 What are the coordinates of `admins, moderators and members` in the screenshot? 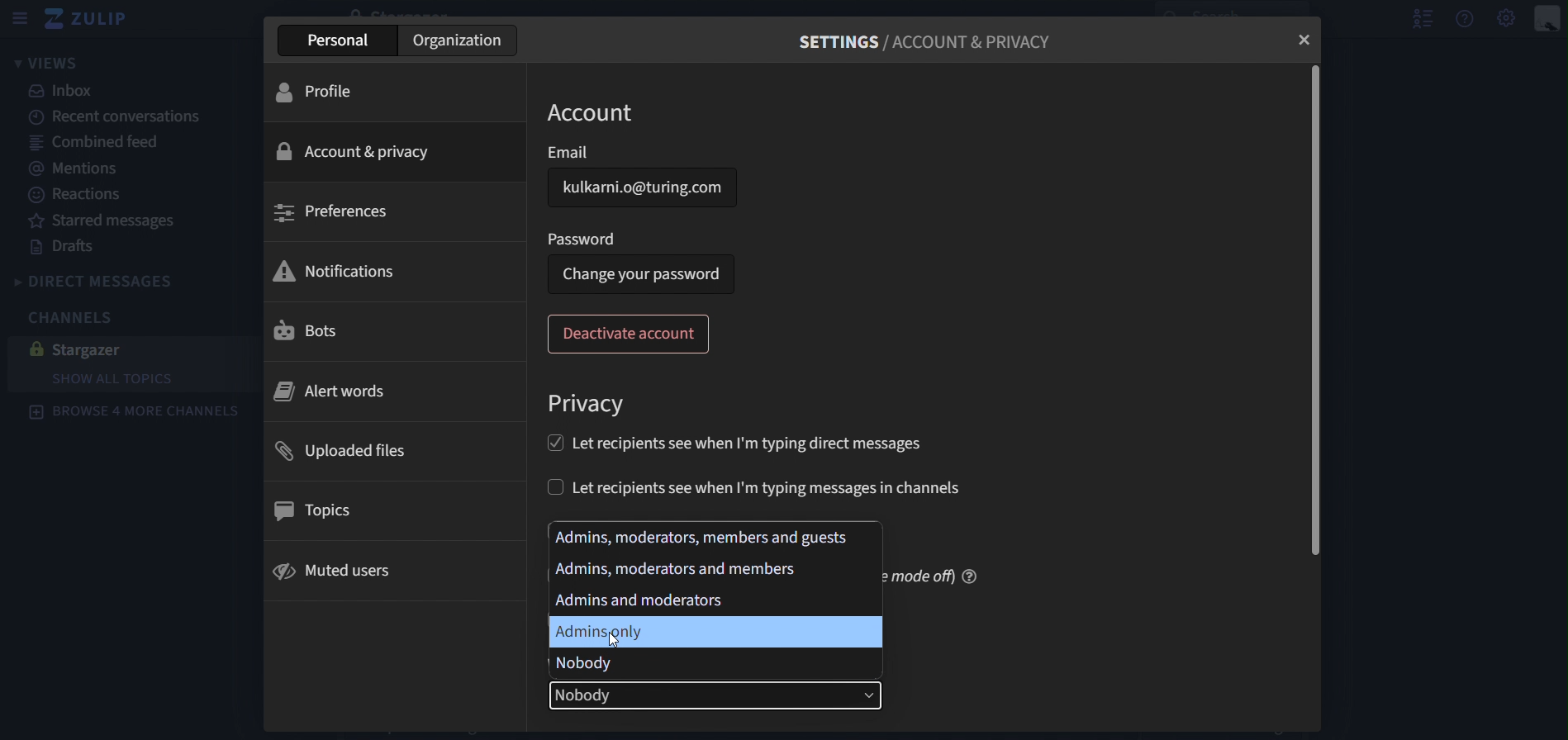 It's located at (701, 535).